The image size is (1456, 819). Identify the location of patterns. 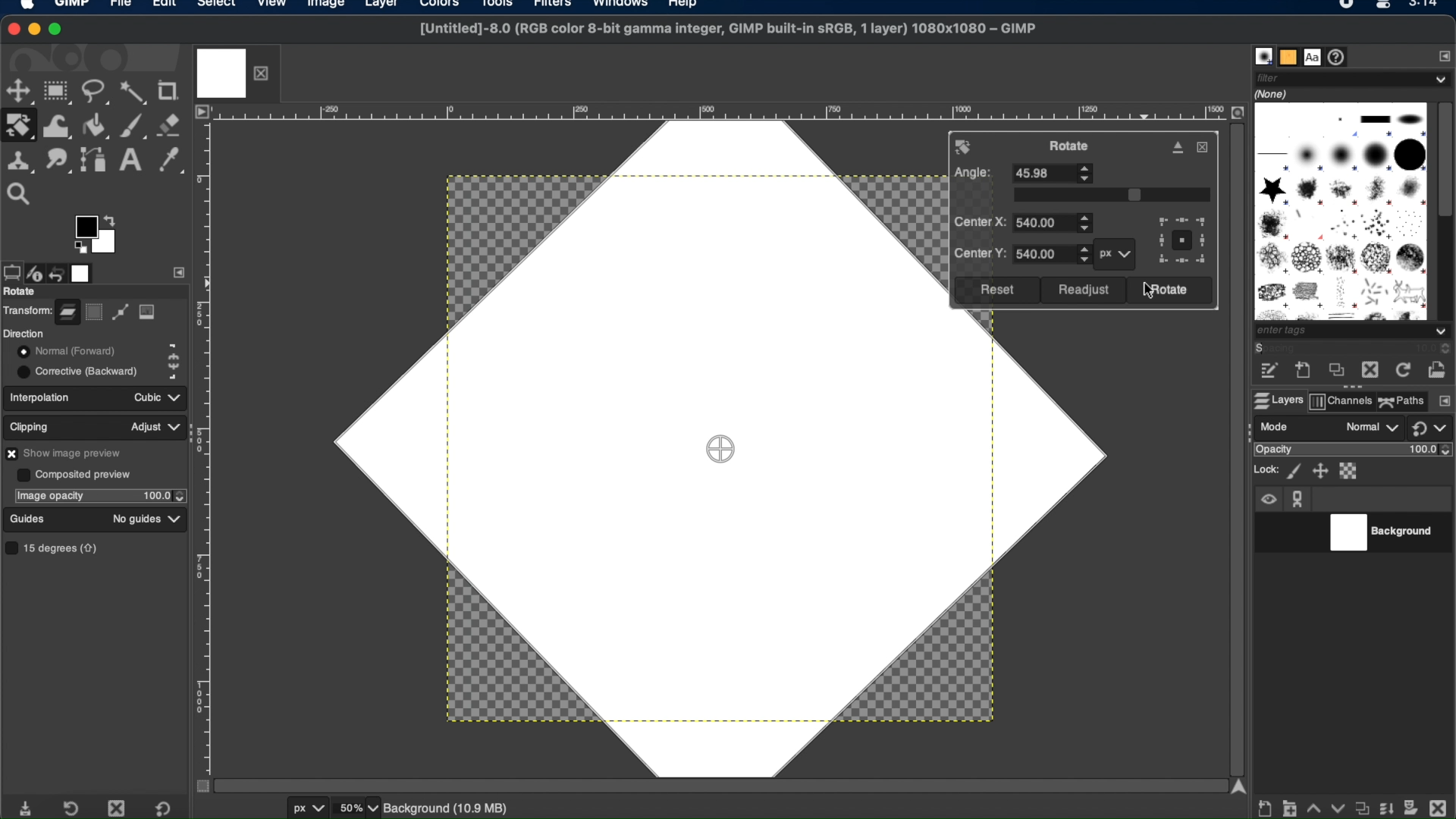
(1288, 56).